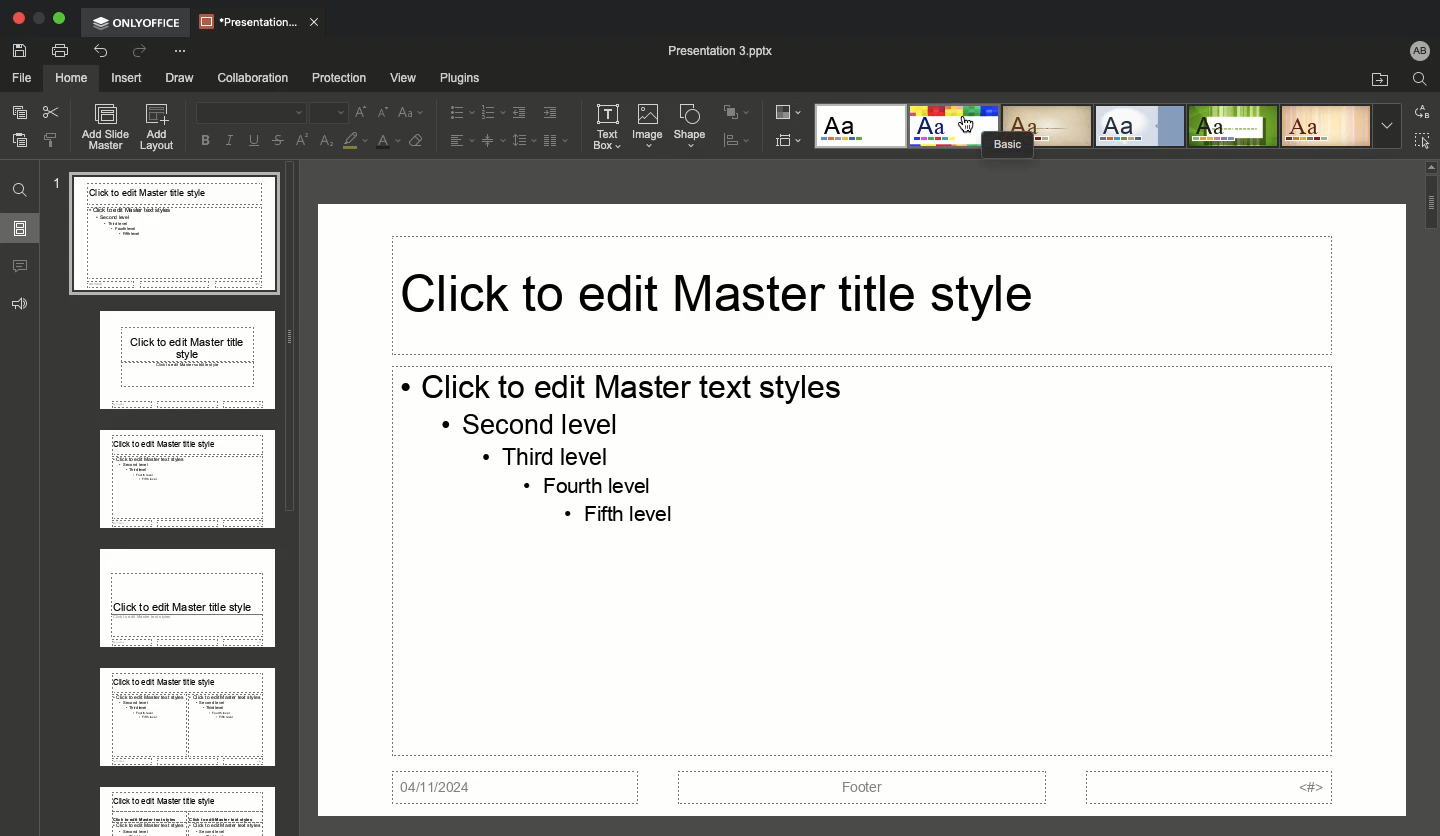 This screenshot has width=1440, height=836. I want to click on Increase font size, so click(359, 112).